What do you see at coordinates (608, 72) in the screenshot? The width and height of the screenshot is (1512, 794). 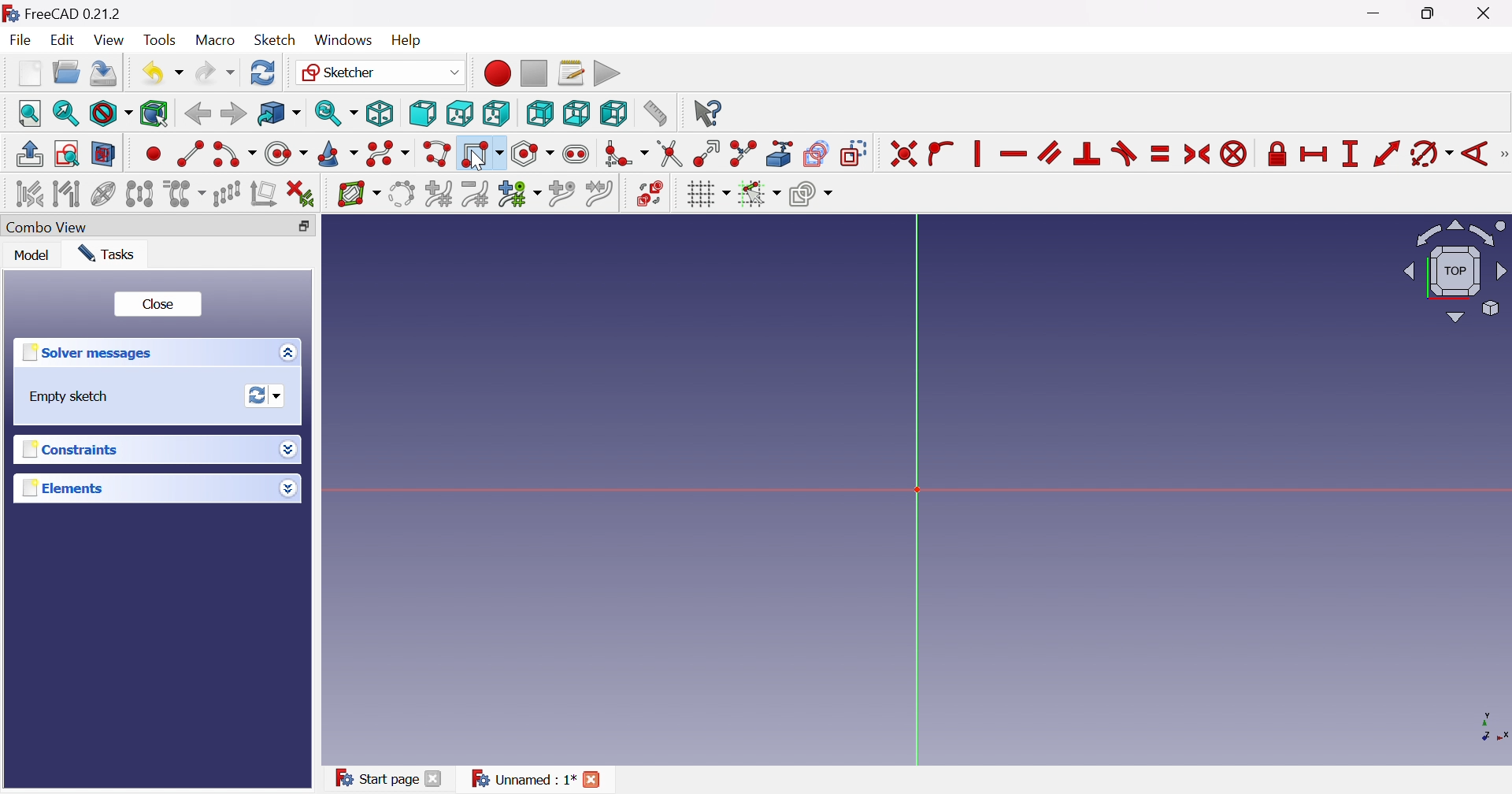 I see `Execute macro` at bounding box center [608, 72].